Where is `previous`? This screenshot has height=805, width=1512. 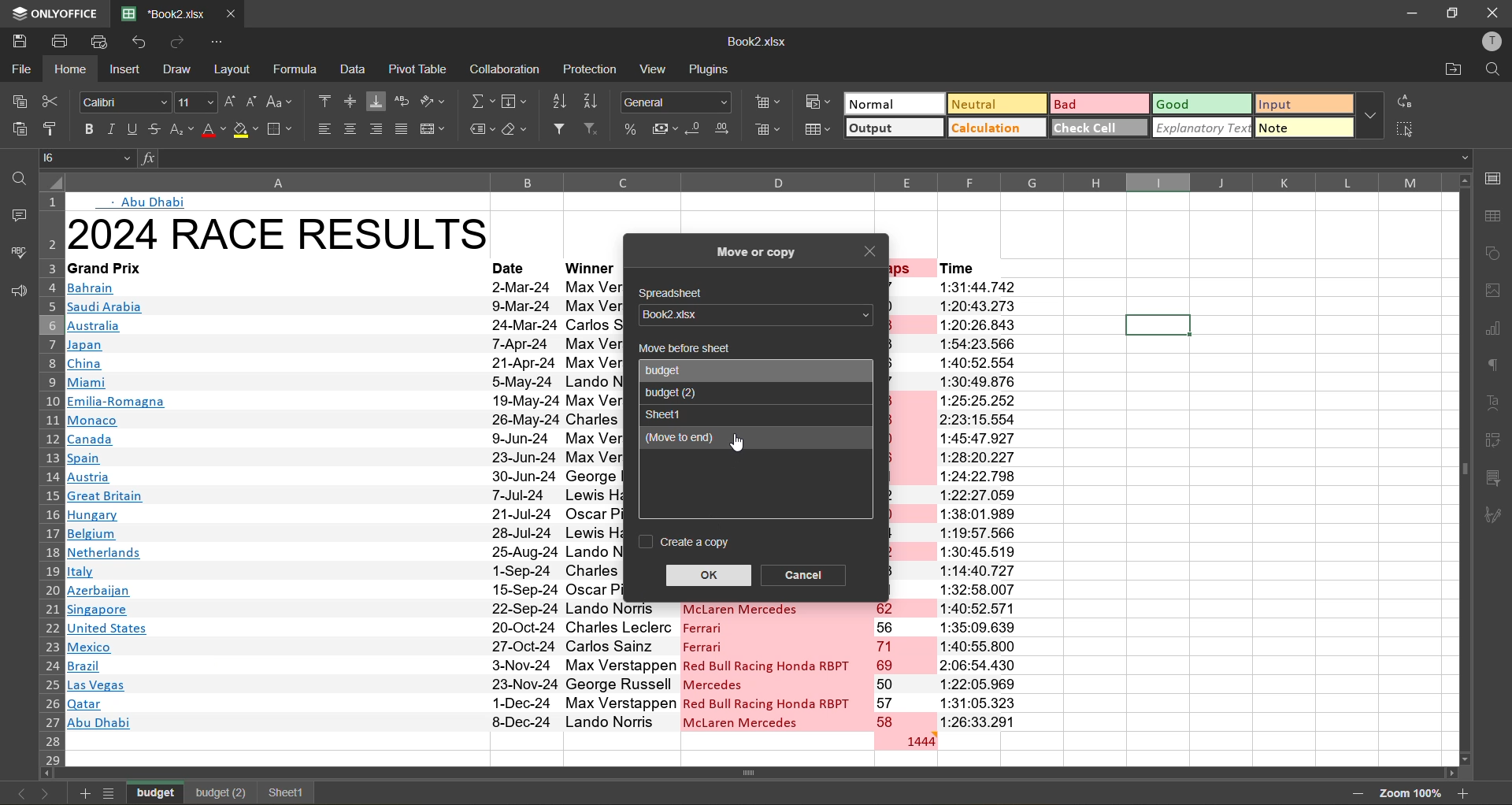 previous is located at coordinates (16, 793).